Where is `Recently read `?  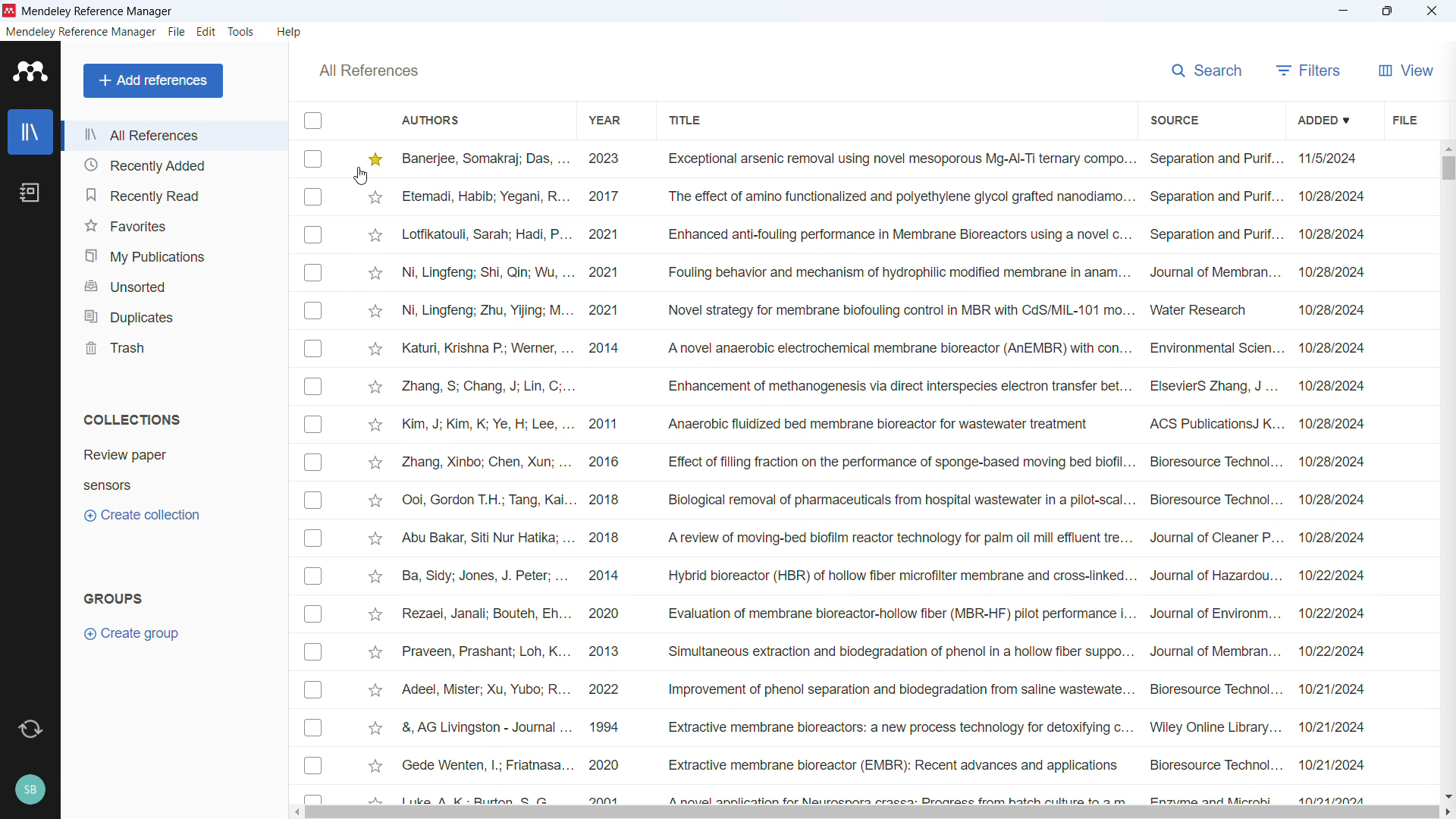 Recently read  is located at coordinates (174, 193).